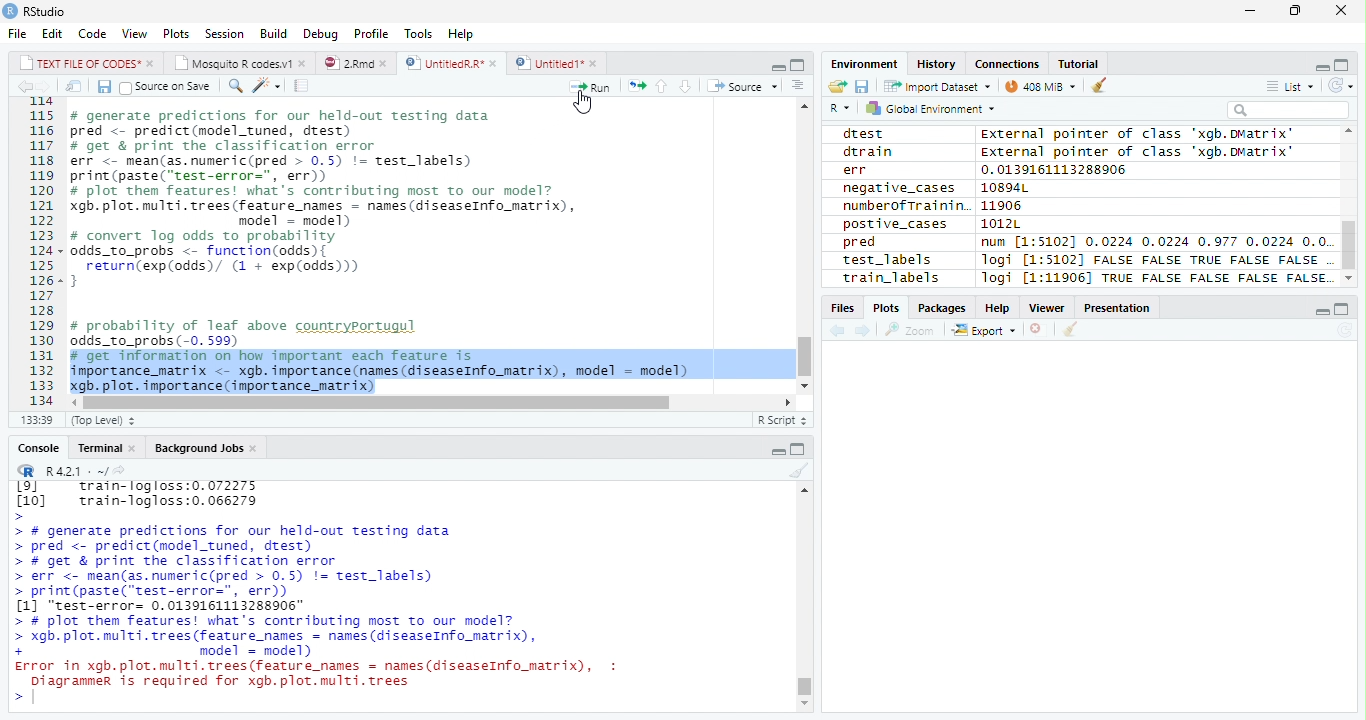  I want to click on Previous, so click(835, 329).